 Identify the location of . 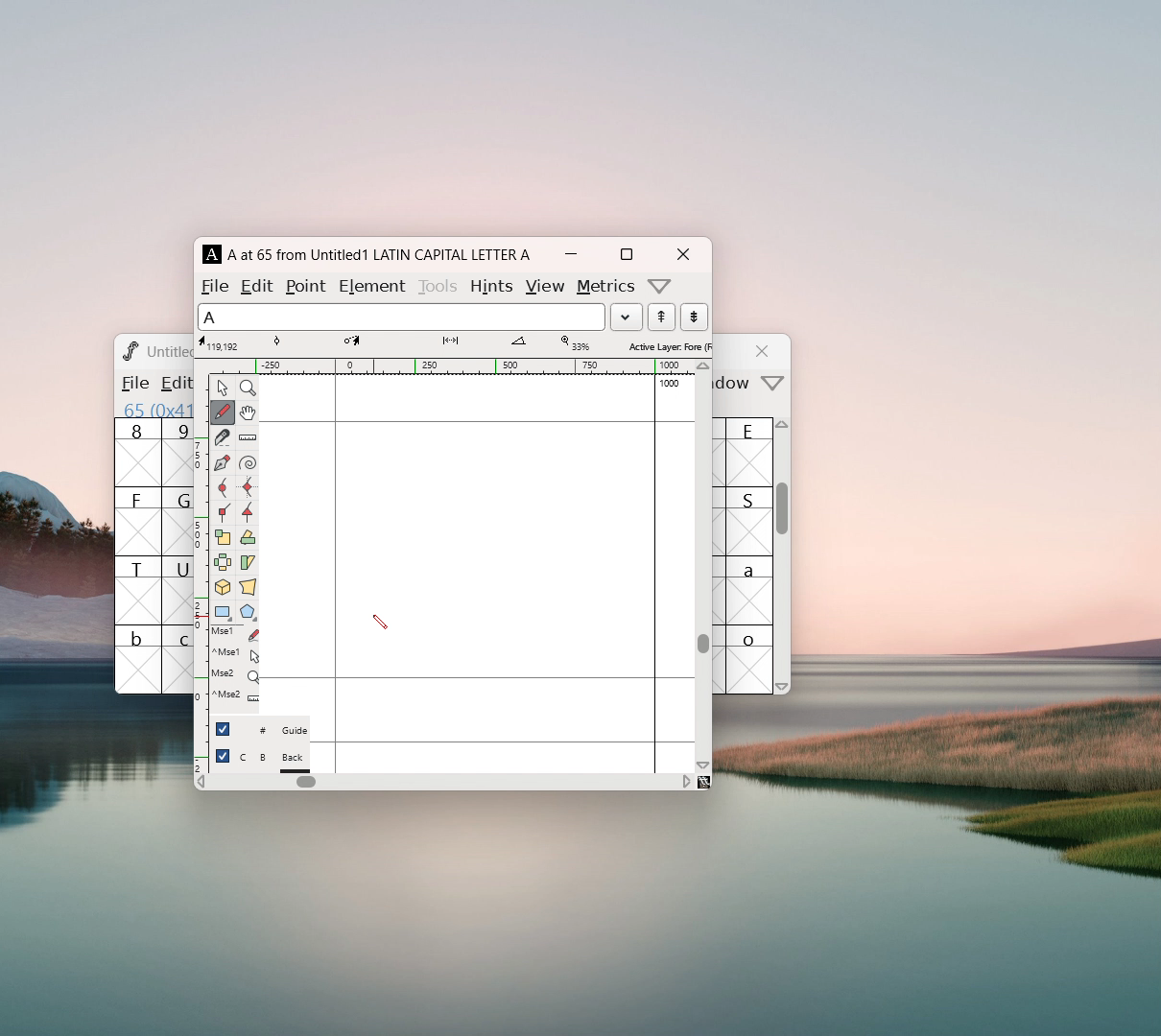
(173, 385).